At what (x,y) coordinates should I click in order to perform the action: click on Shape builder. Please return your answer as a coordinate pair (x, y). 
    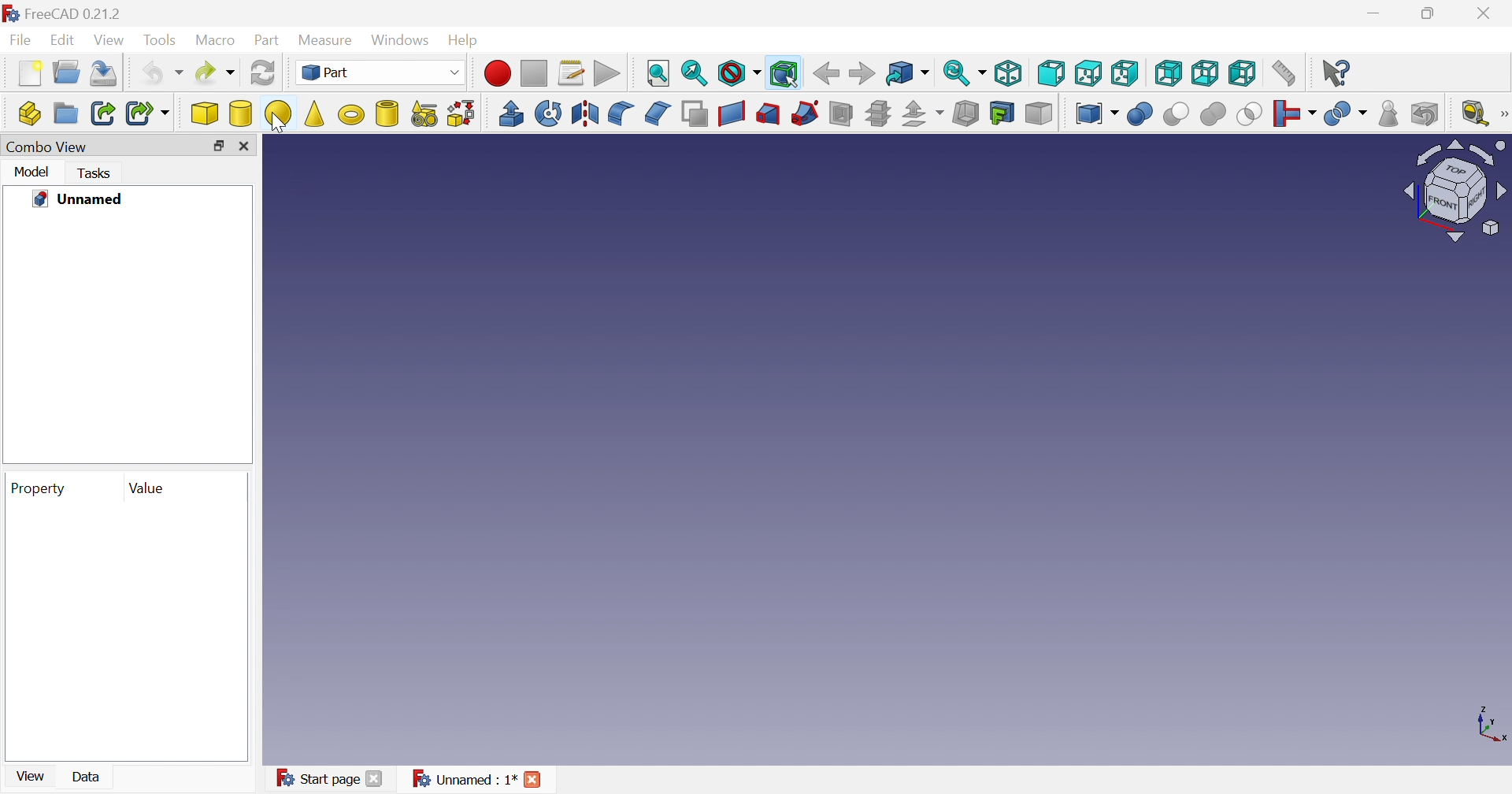
    Looking at the image, I should click on (461, 113).